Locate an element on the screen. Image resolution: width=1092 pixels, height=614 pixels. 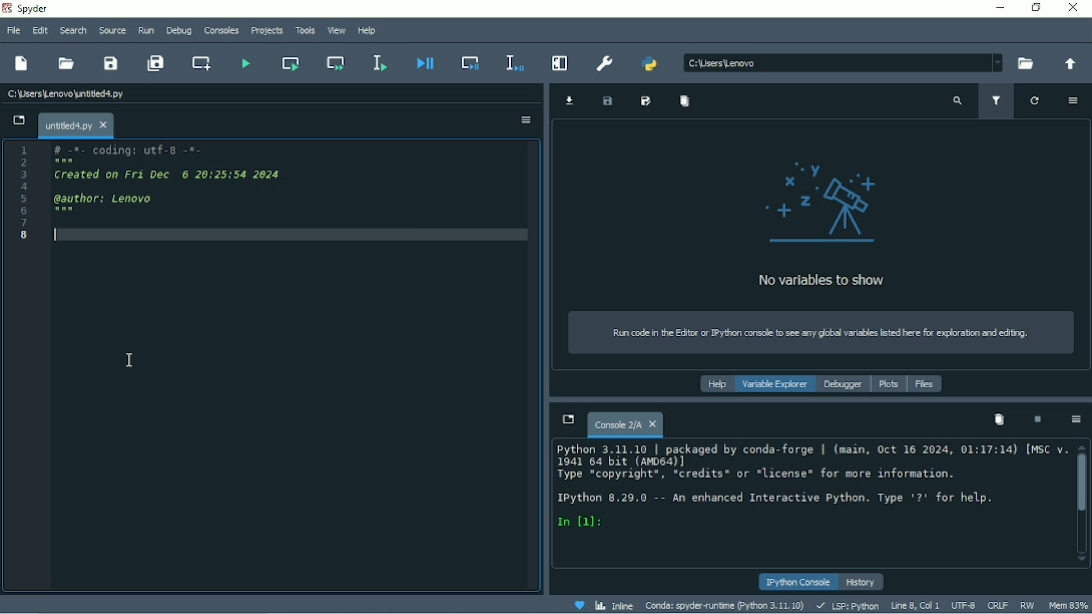
Debug selection or current line is located at coordinates (514, 62).